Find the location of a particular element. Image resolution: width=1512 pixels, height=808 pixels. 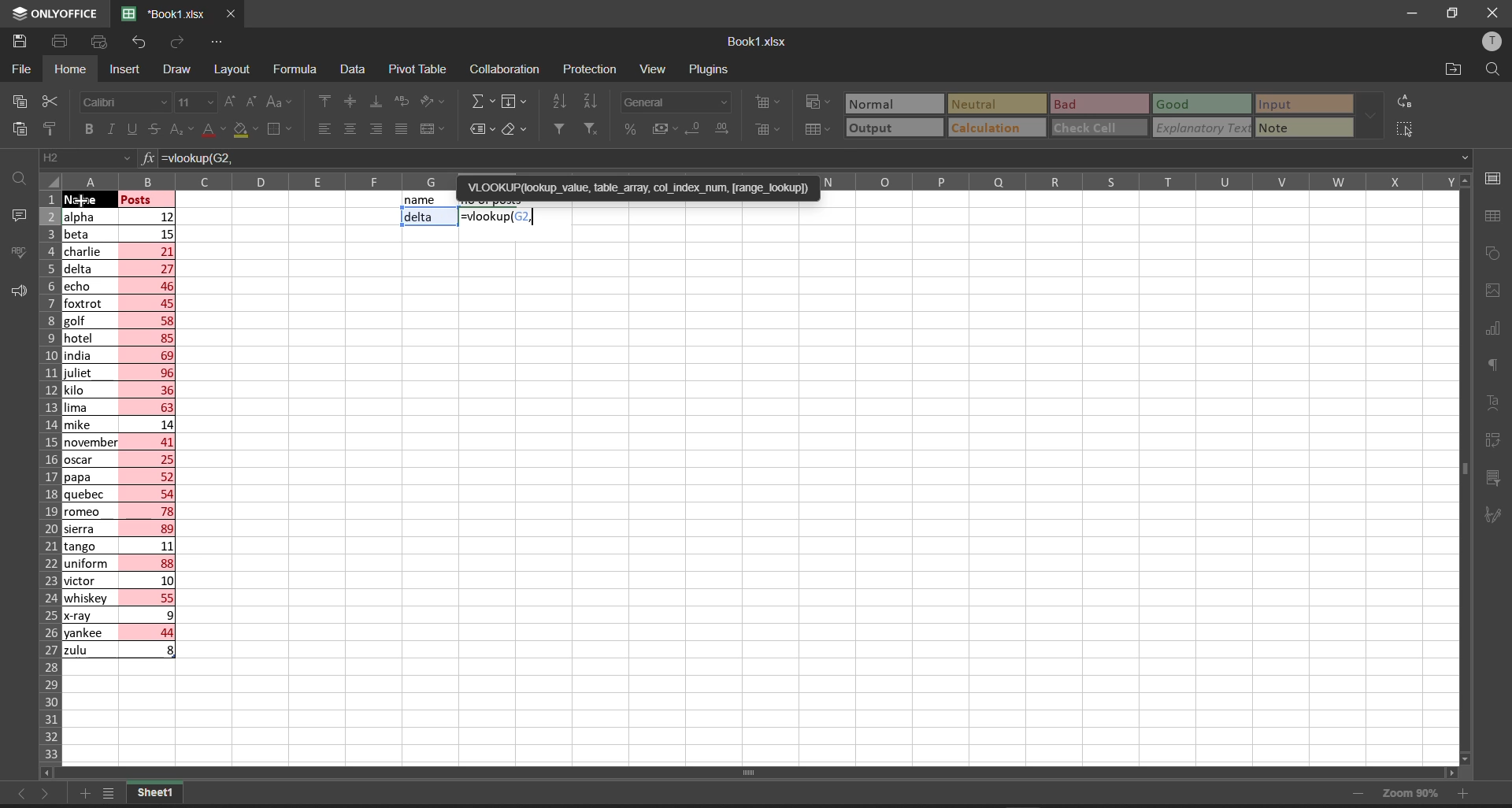

percent style is located at coordinates (628, 131).